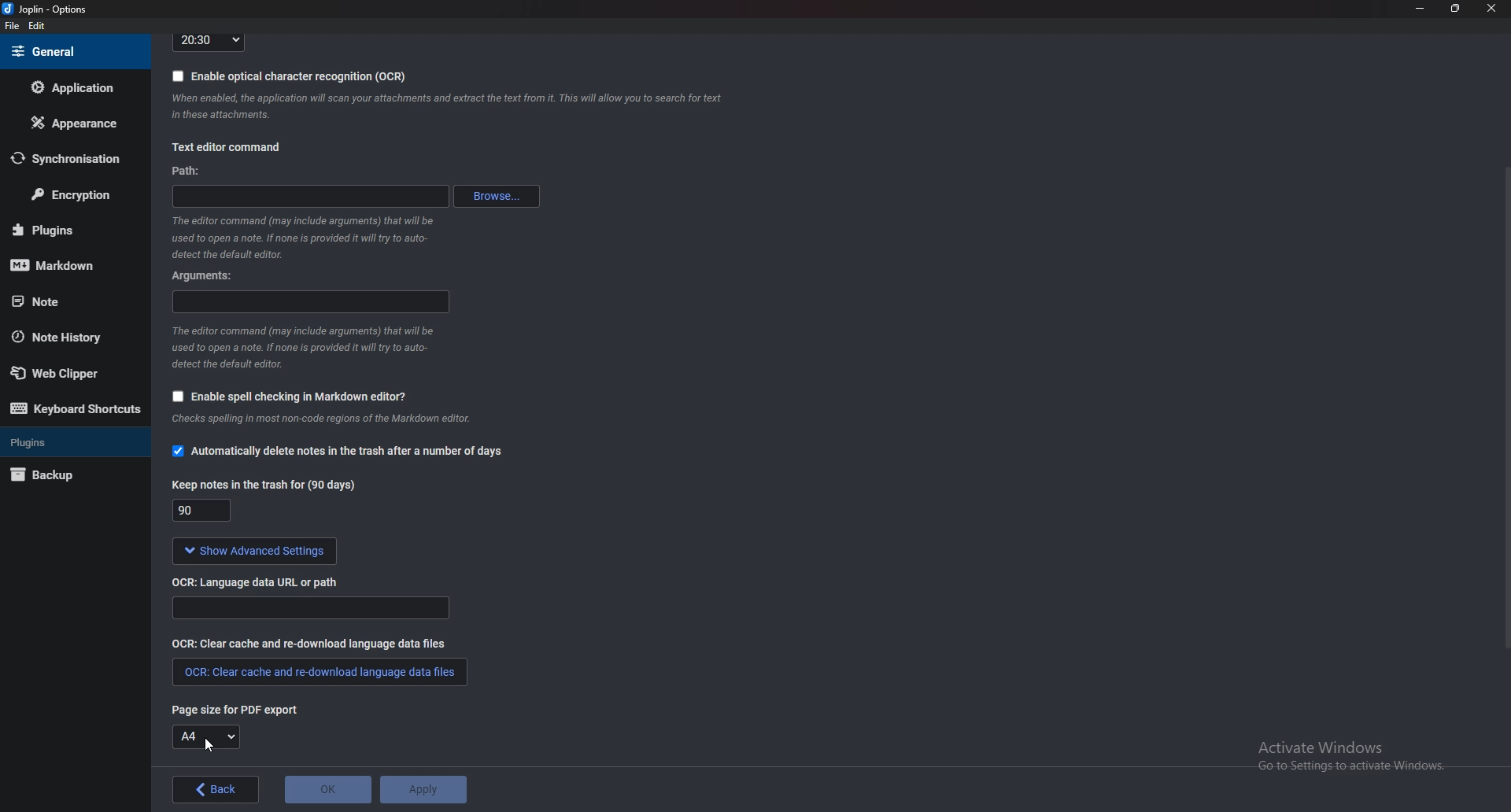 The height and width of the screenshot is (812, 1511). What do you see at coordinates (205, 512) in the screenshot?
I see `Keep notes in the trash for` at bounding box center [205, 512].